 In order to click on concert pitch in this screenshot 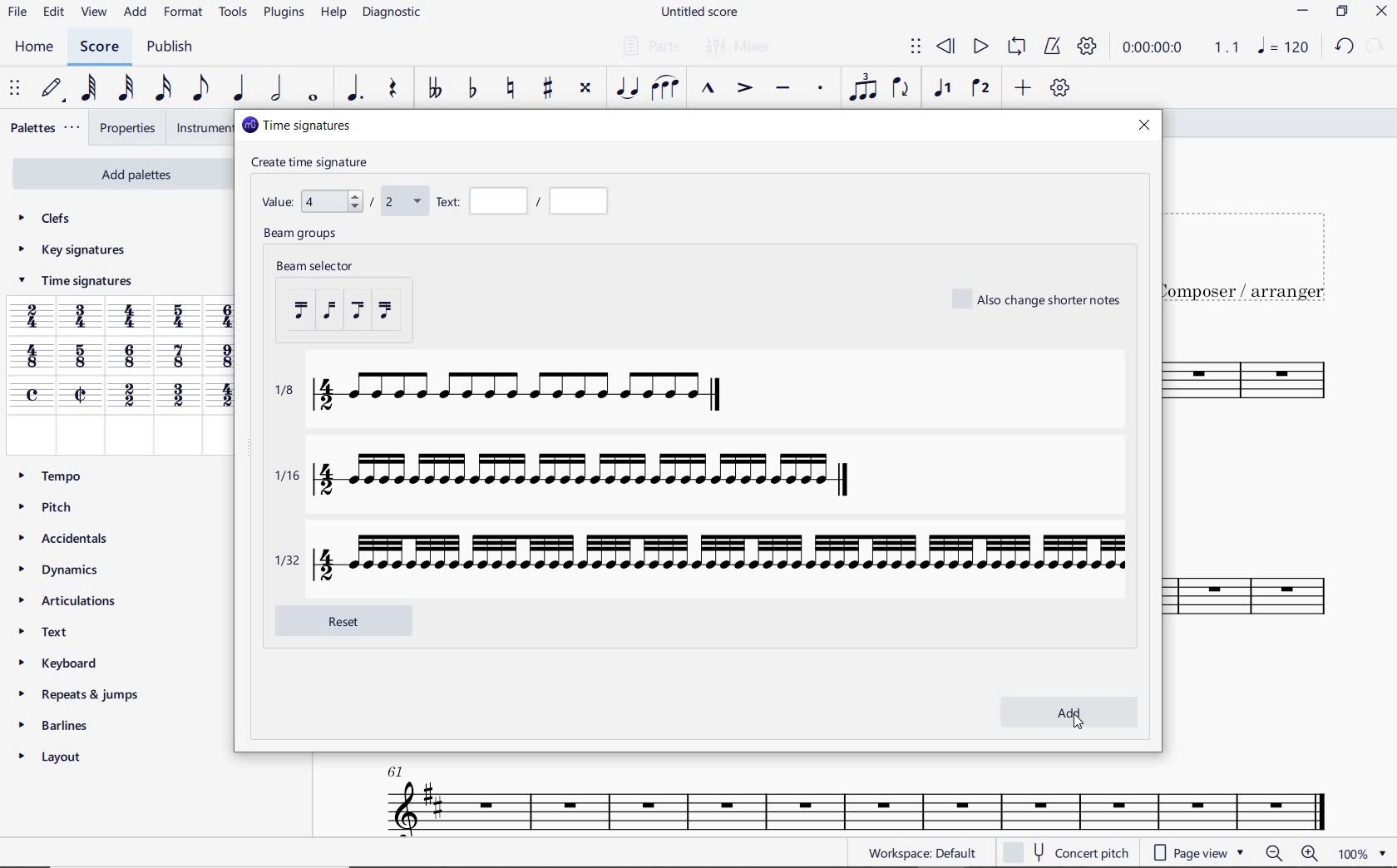, I will do `click(1066, 851)`.